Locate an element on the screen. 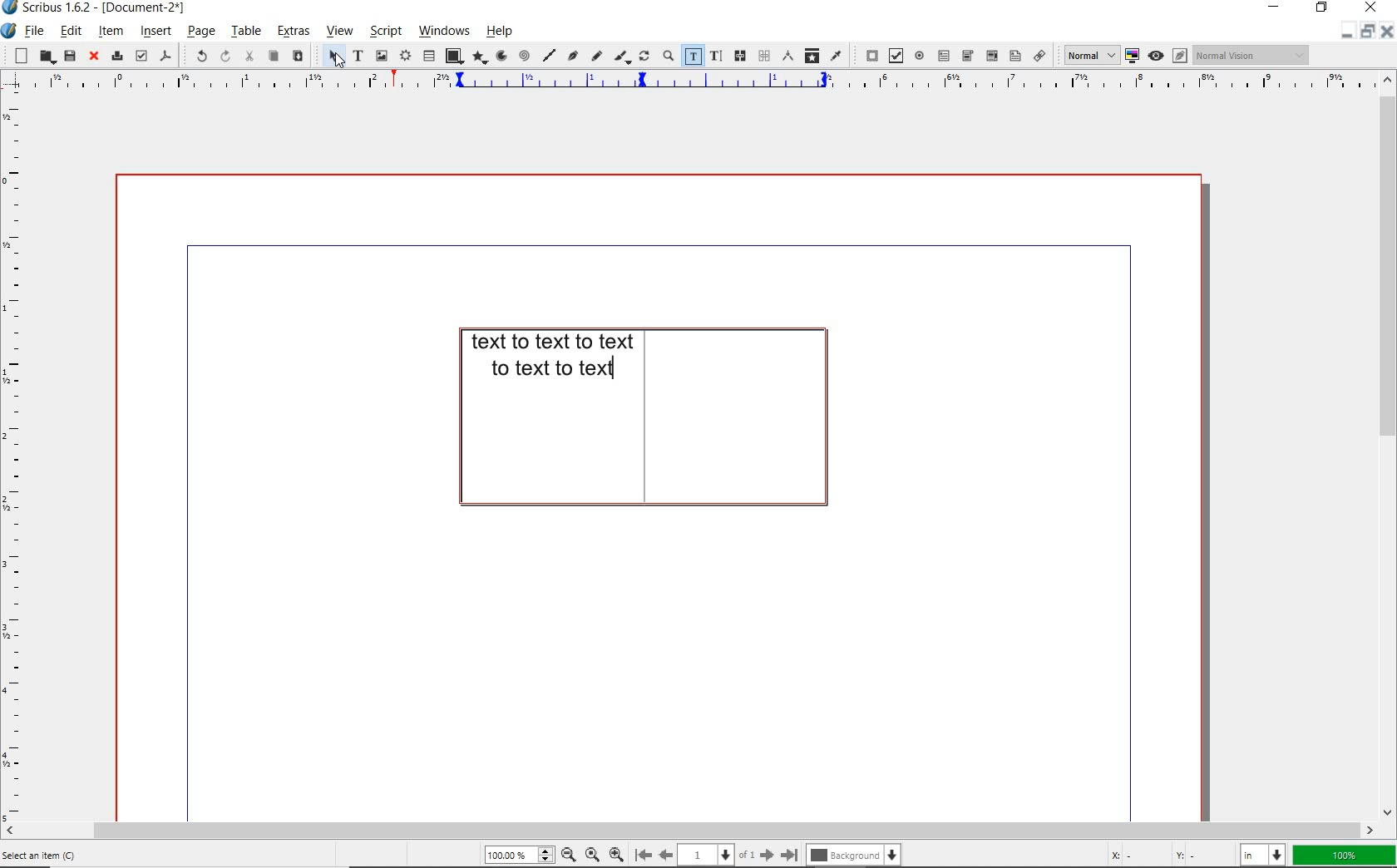 This screenshot has height=868, width=1397. edit is located at coordinates (71, 32).